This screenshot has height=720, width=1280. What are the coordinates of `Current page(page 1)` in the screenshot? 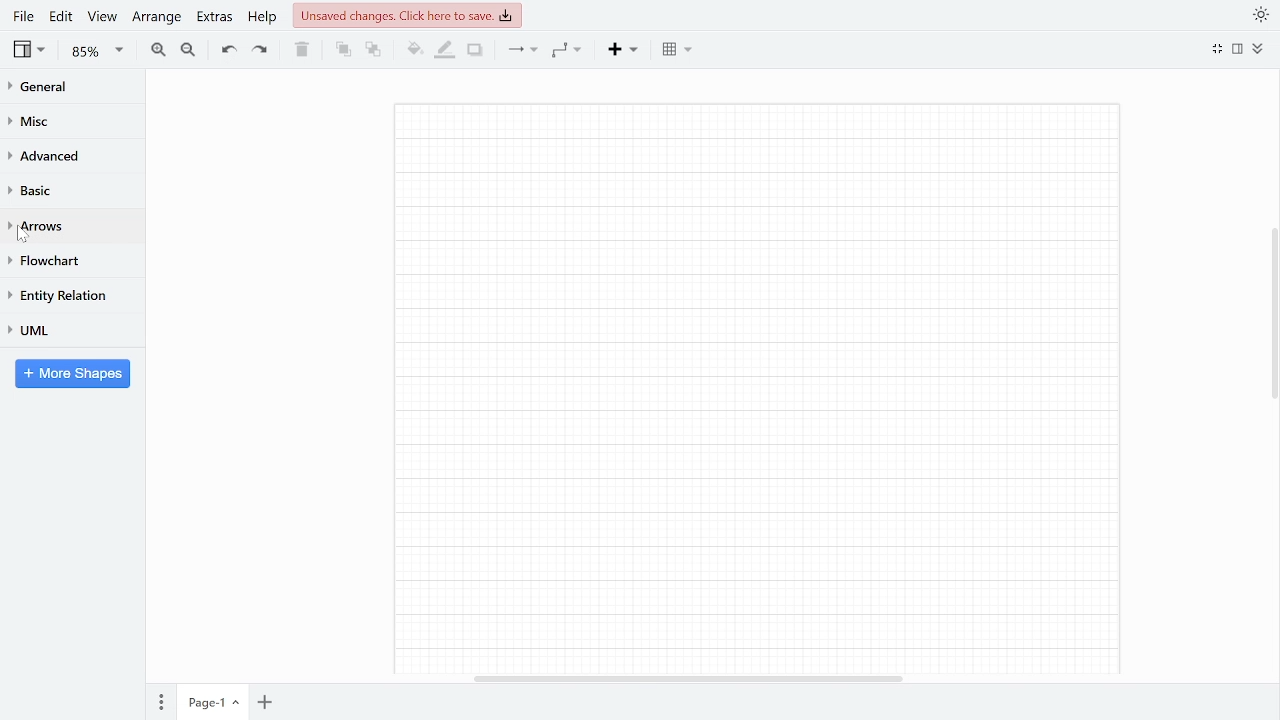 It's located at (213, 701).